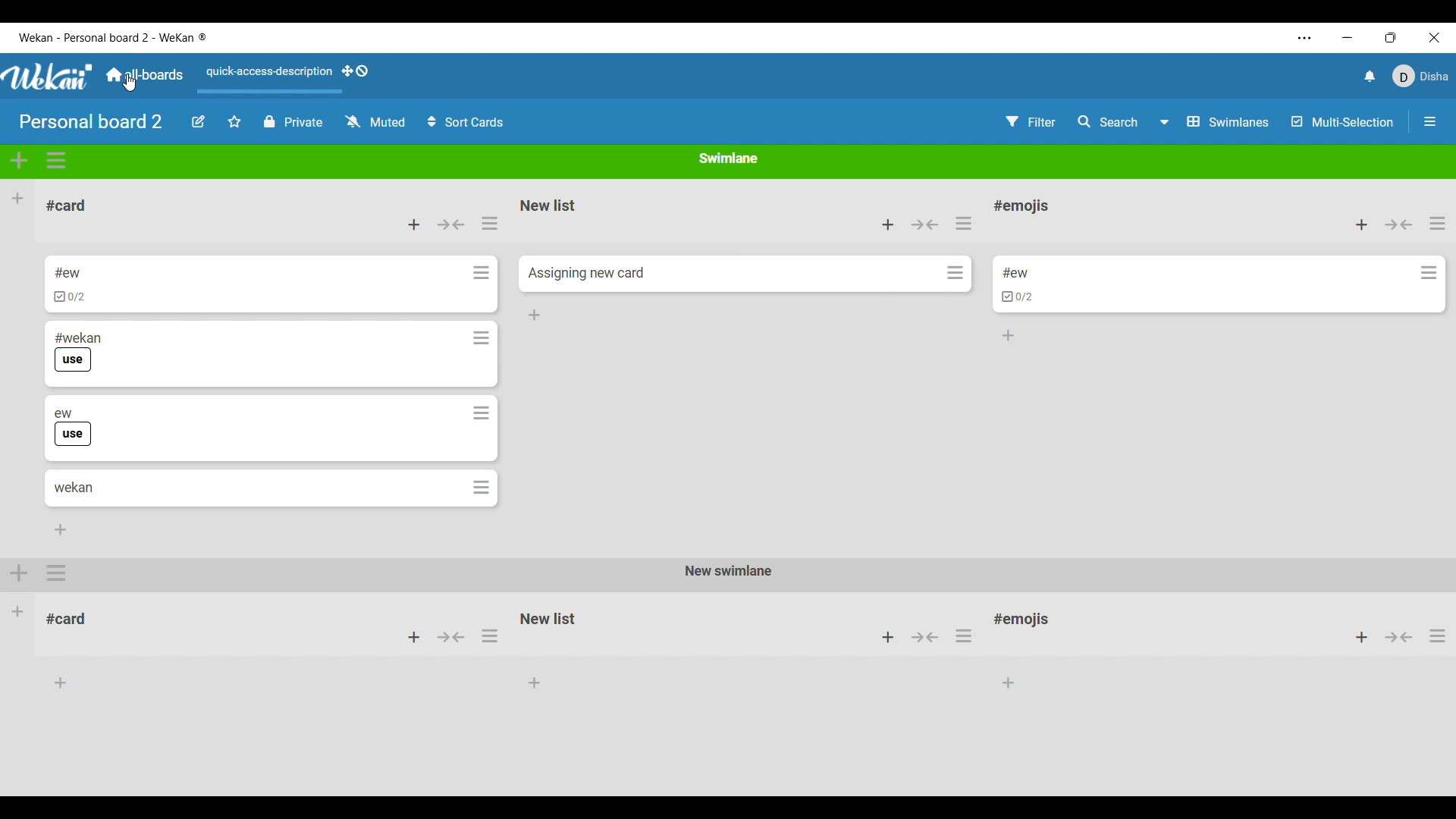  What do you see at coordinates (269, 72) in the screenshot?
I see `Quick access description` at bounding box center [269, 72].